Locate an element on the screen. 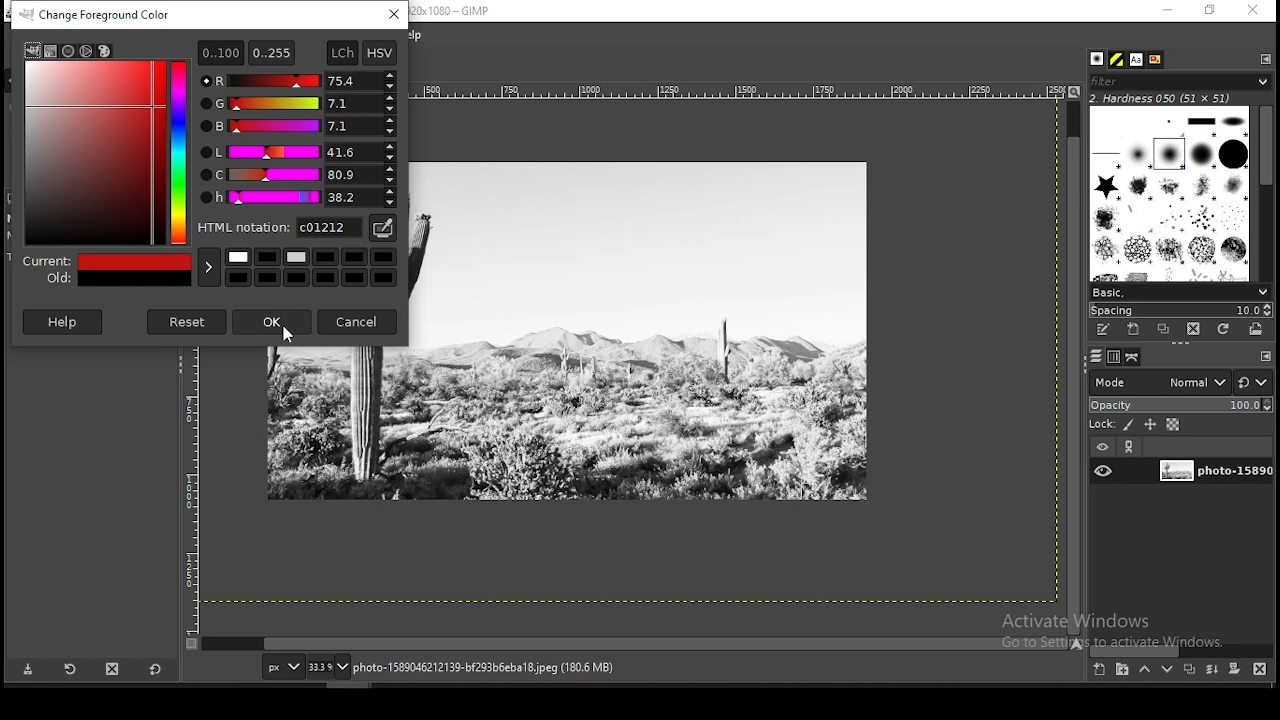 The height and width of the screenshot is (720, 1280). lock size and position is located at coordinates (1150, 424).